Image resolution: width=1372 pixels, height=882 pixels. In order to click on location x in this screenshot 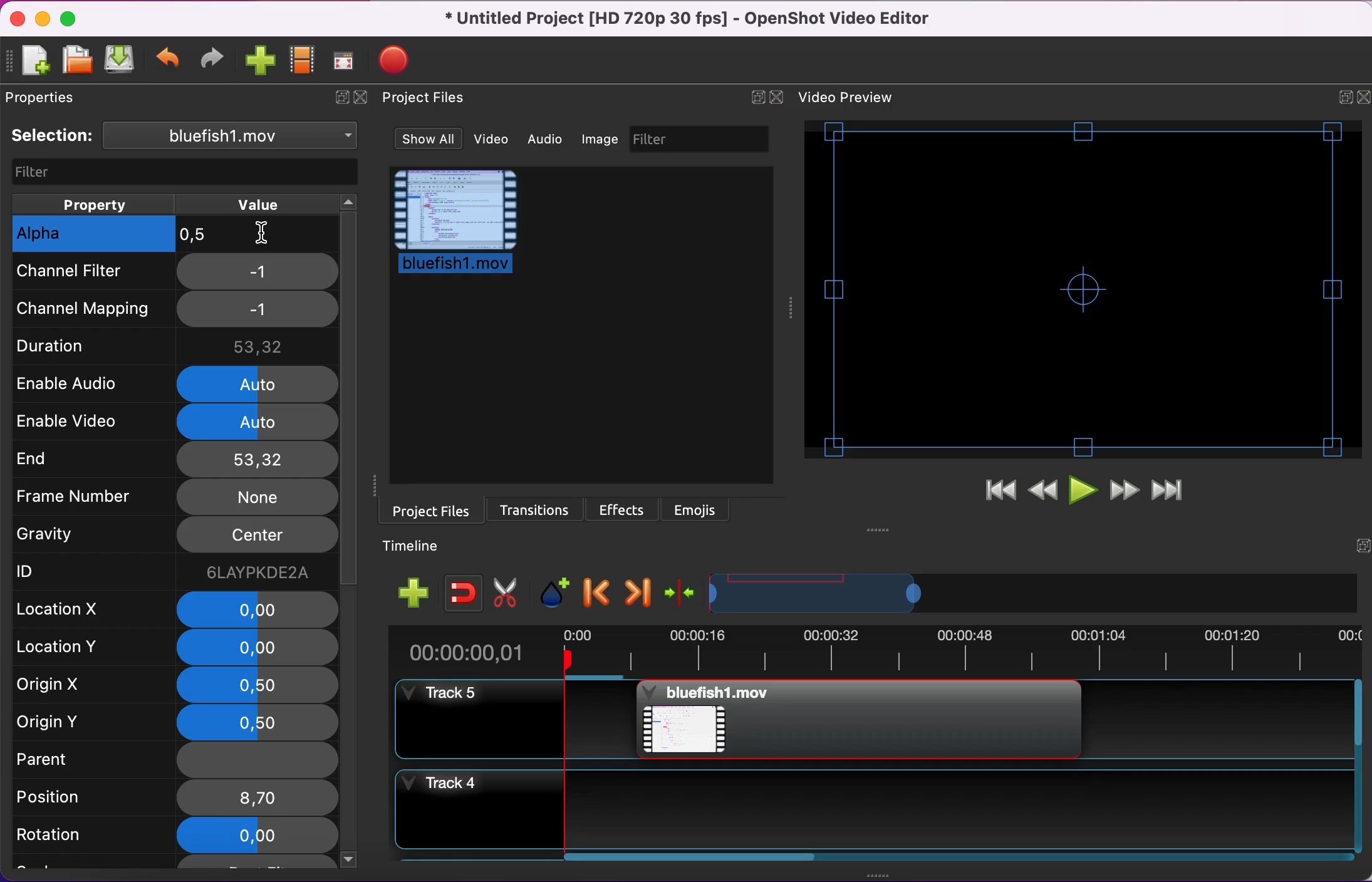, I will do `click(72, 611)`.